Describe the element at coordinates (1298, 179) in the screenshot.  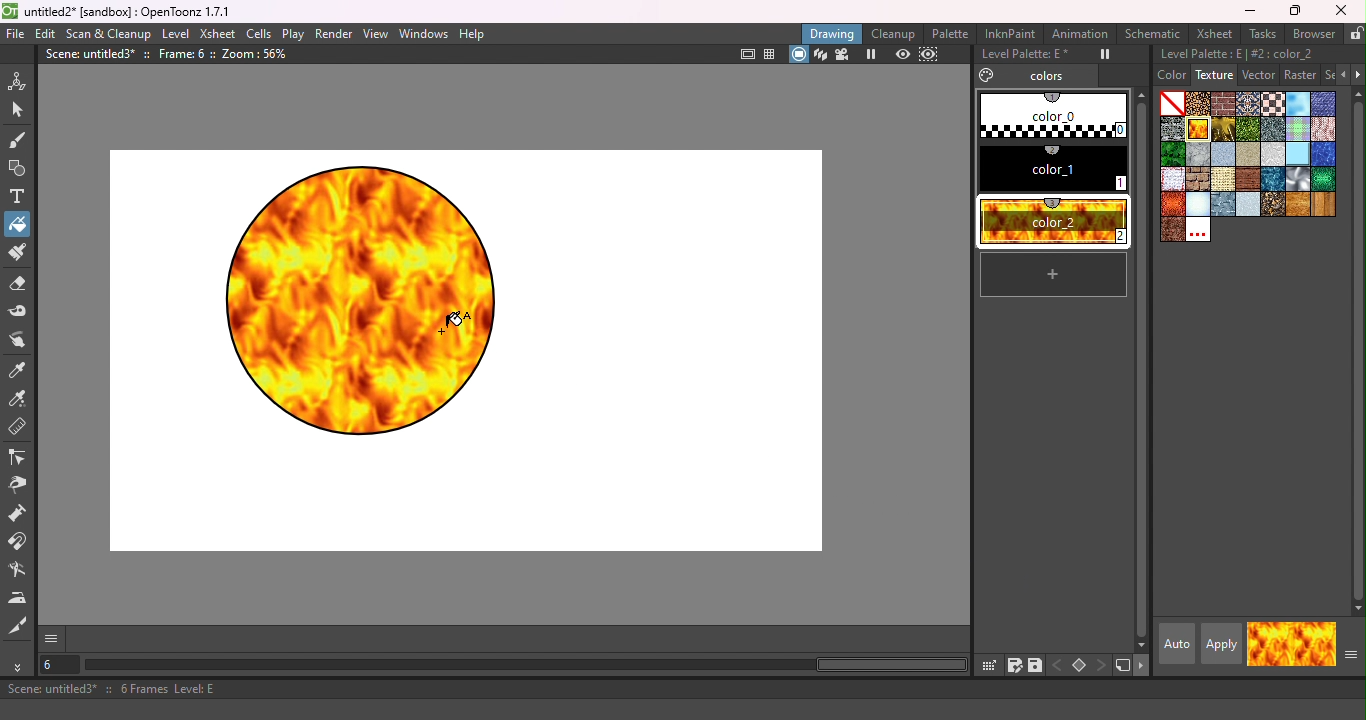
I see `Sil.bmp` at that location.